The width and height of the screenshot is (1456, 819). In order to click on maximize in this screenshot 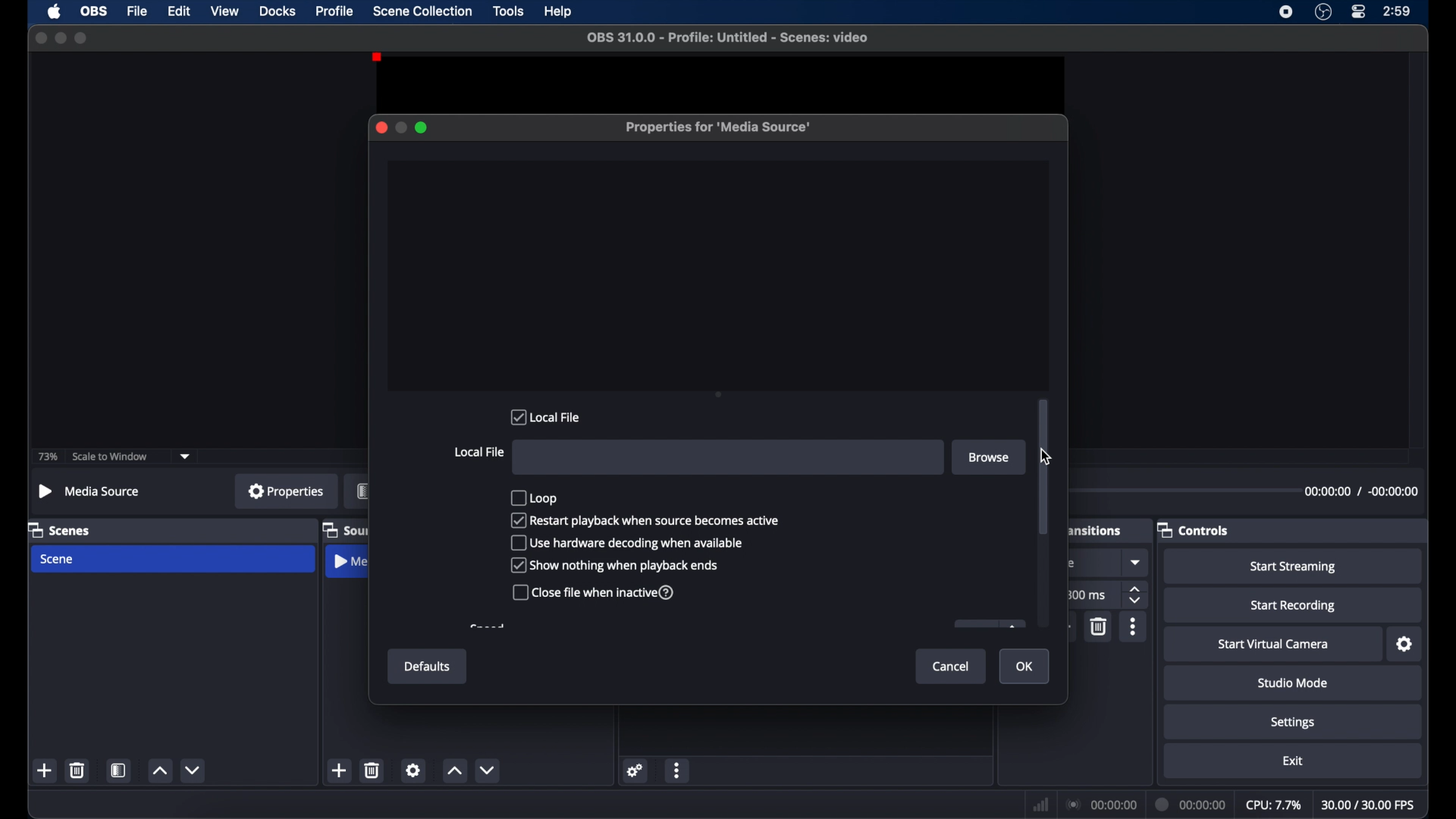, I will do `click(422, 127)`.